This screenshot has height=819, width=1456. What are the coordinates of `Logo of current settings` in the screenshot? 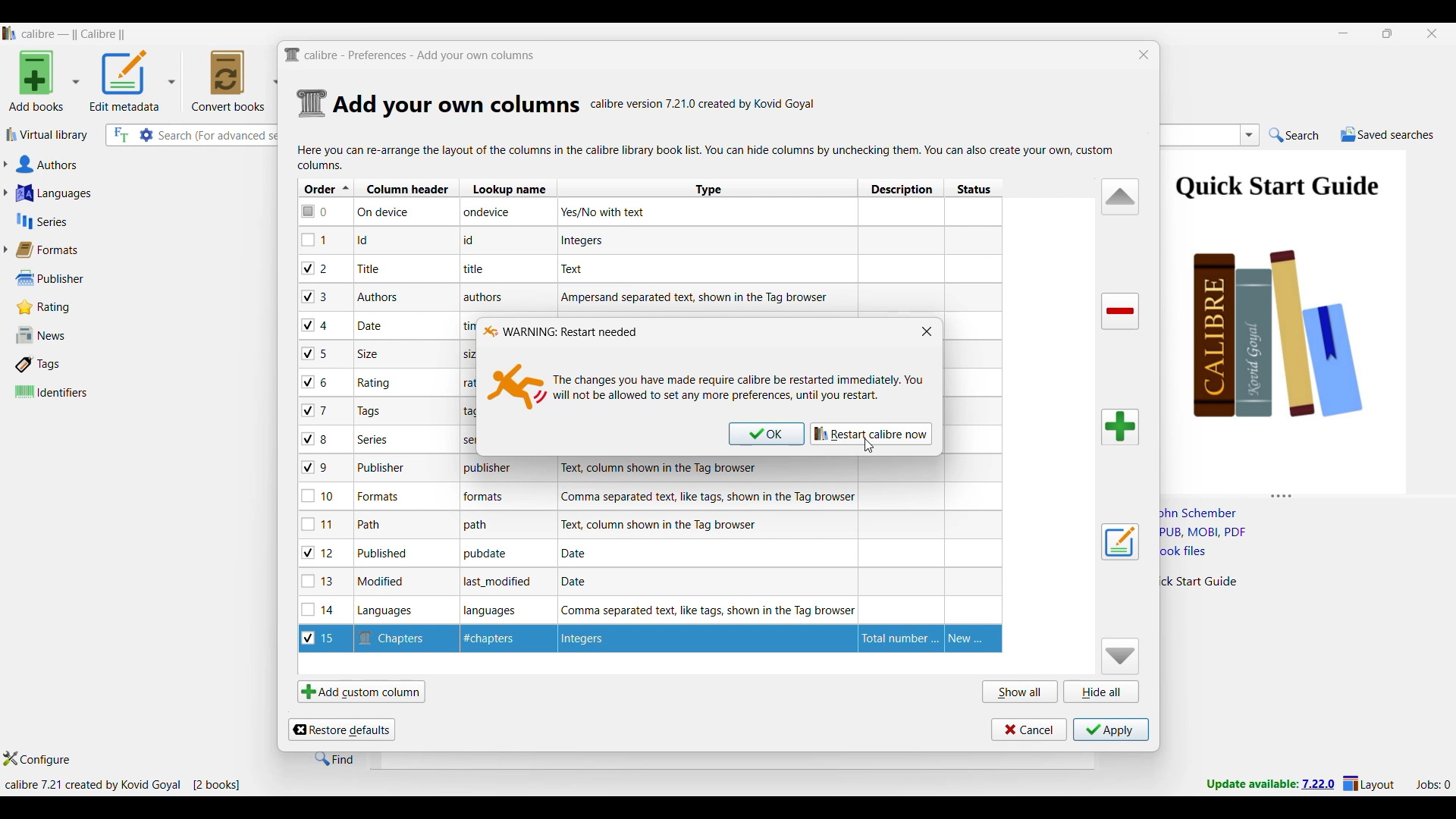 It's located at (312, 104).